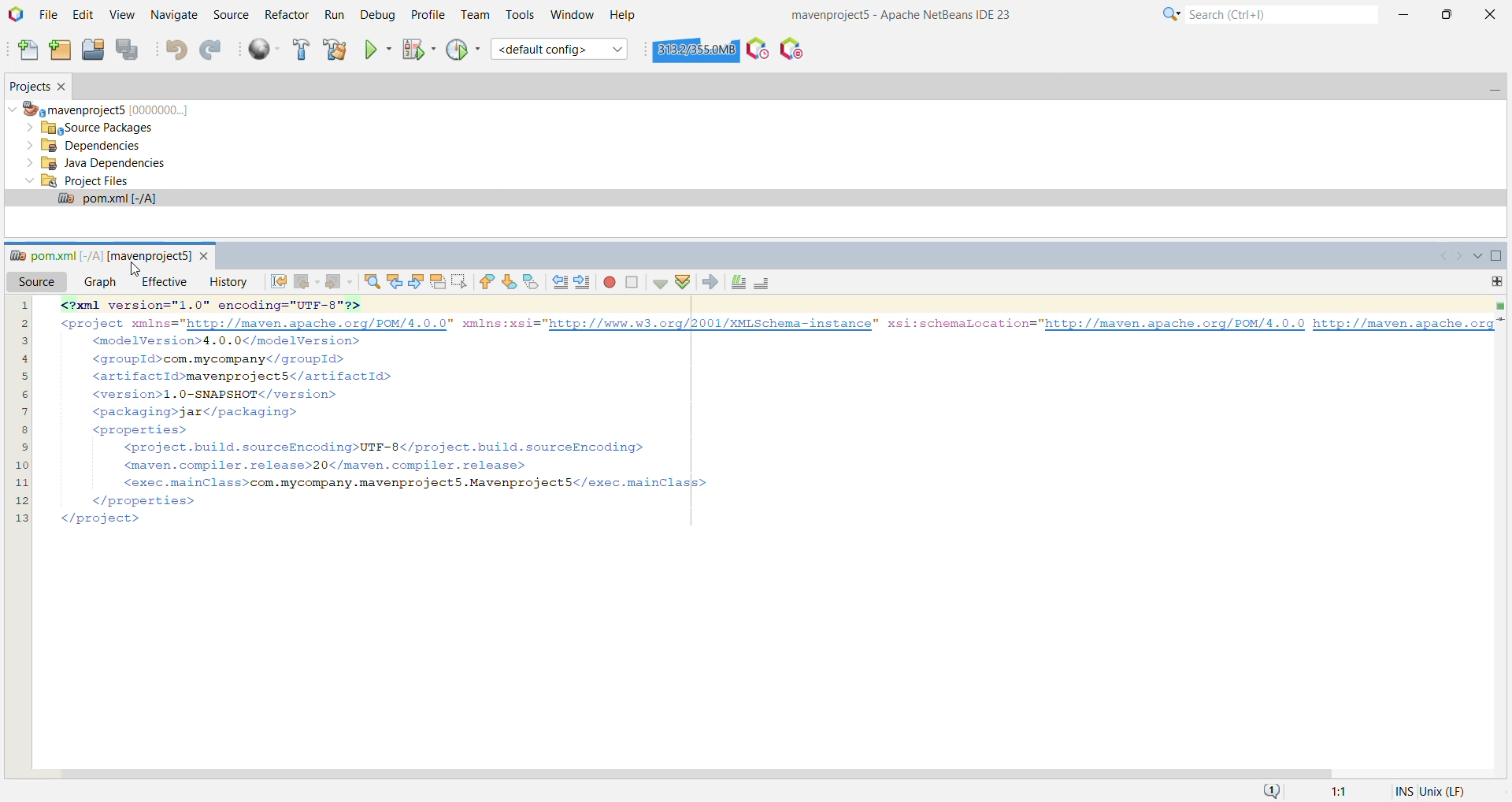 The width and height of the screenshot is (1512, 802). Describe the element at coordinates (438, 282) in the screenshot. I see `Toggle Highlight Search` at that location.